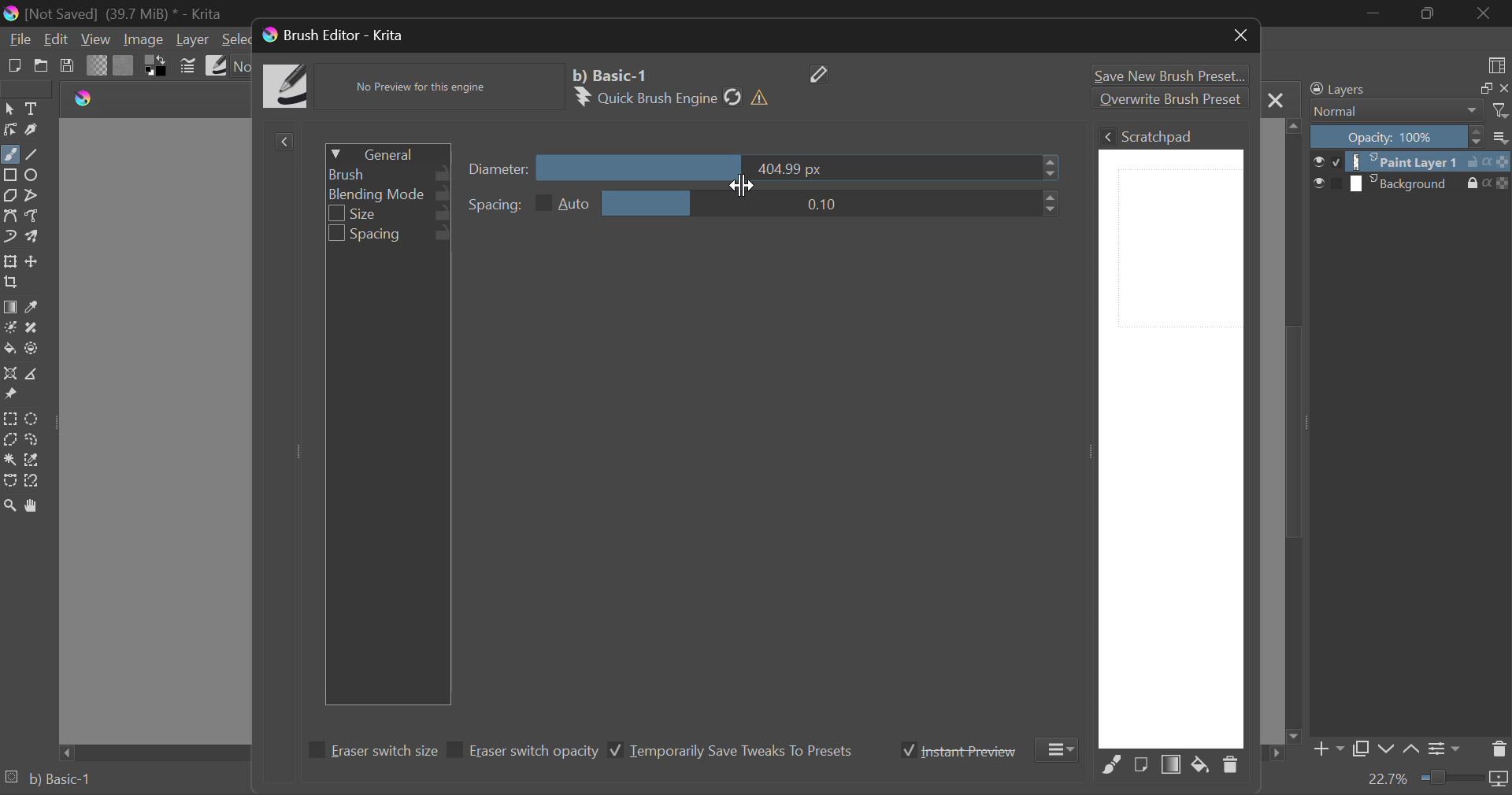 This screenshot has height=795, width=1512. What do you see at coordinates (1241, 38) in the screenshot?
I see `Close` at bounding box center [1241, 38].